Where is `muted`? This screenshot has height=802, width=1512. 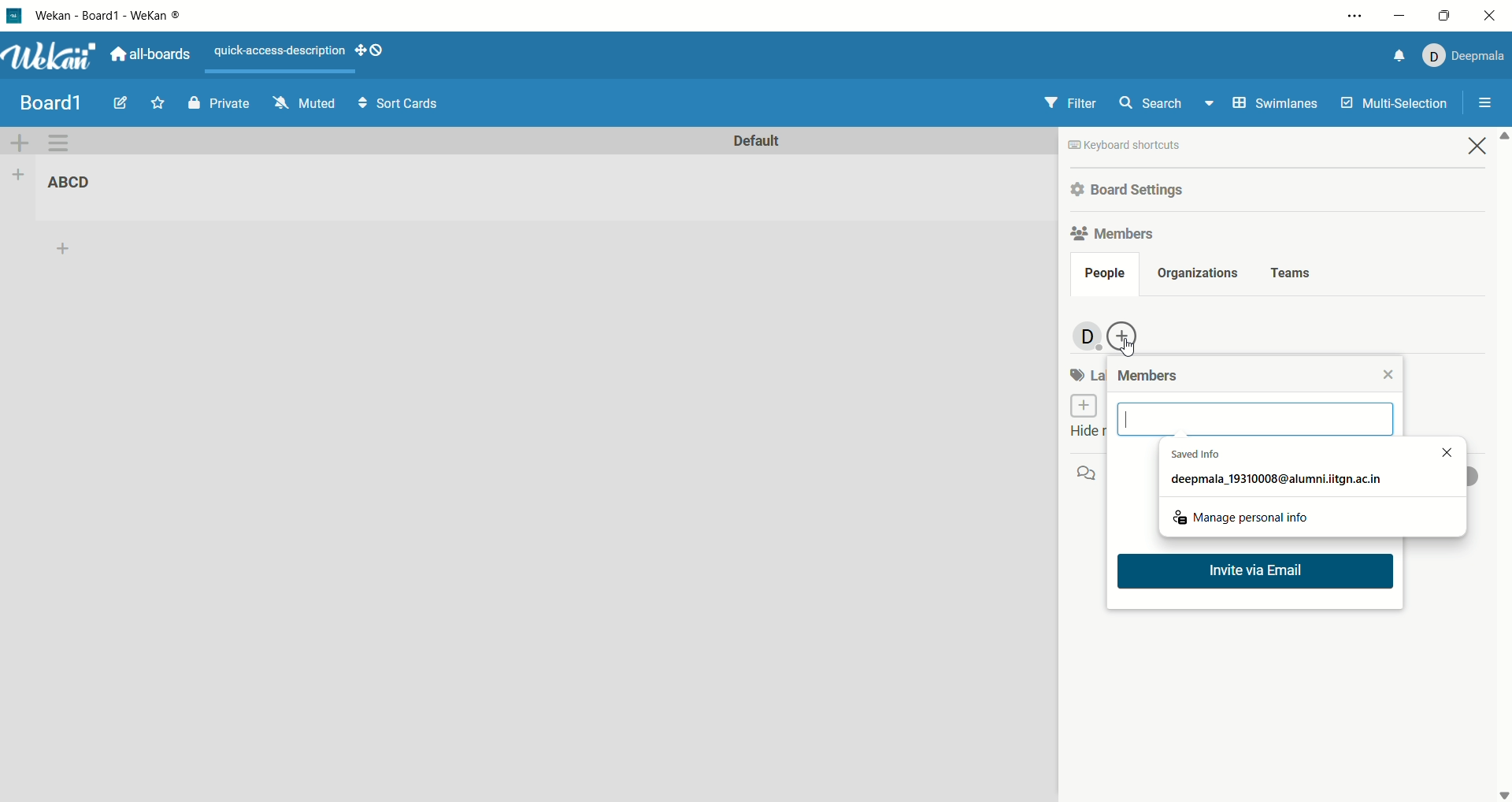
muted is located at coordinates (305, 103).